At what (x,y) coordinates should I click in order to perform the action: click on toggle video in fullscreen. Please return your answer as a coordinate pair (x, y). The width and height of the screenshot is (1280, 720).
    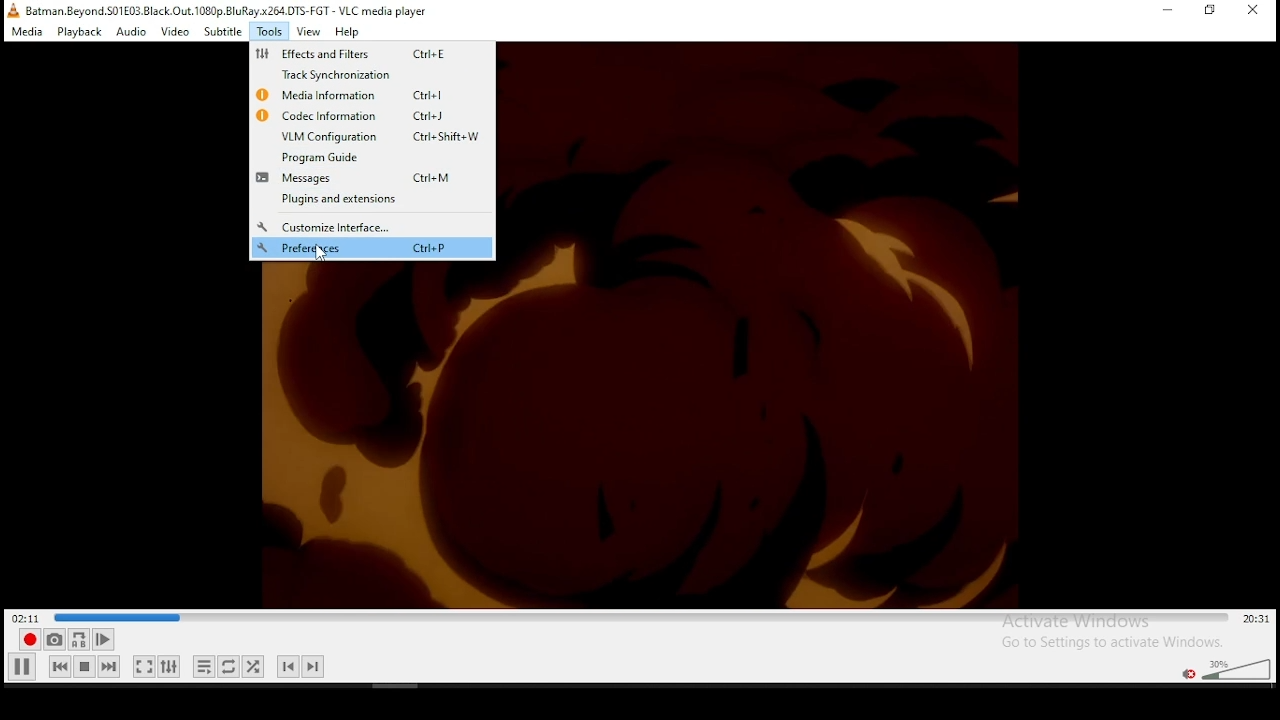
    Looking at the image, I should click on (143, 666).